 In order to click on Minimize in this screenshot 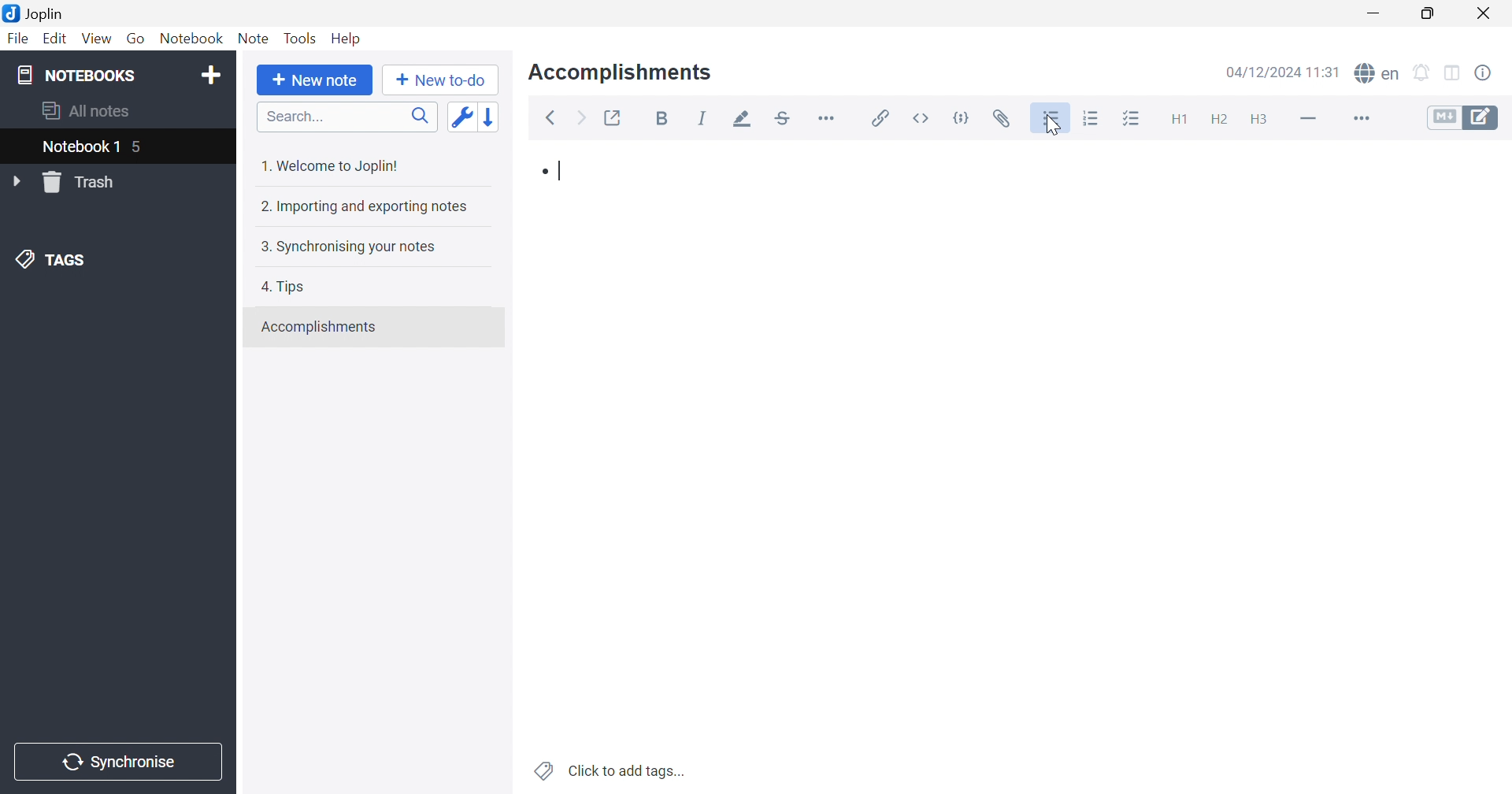, I will do `click(1372, 14)`.